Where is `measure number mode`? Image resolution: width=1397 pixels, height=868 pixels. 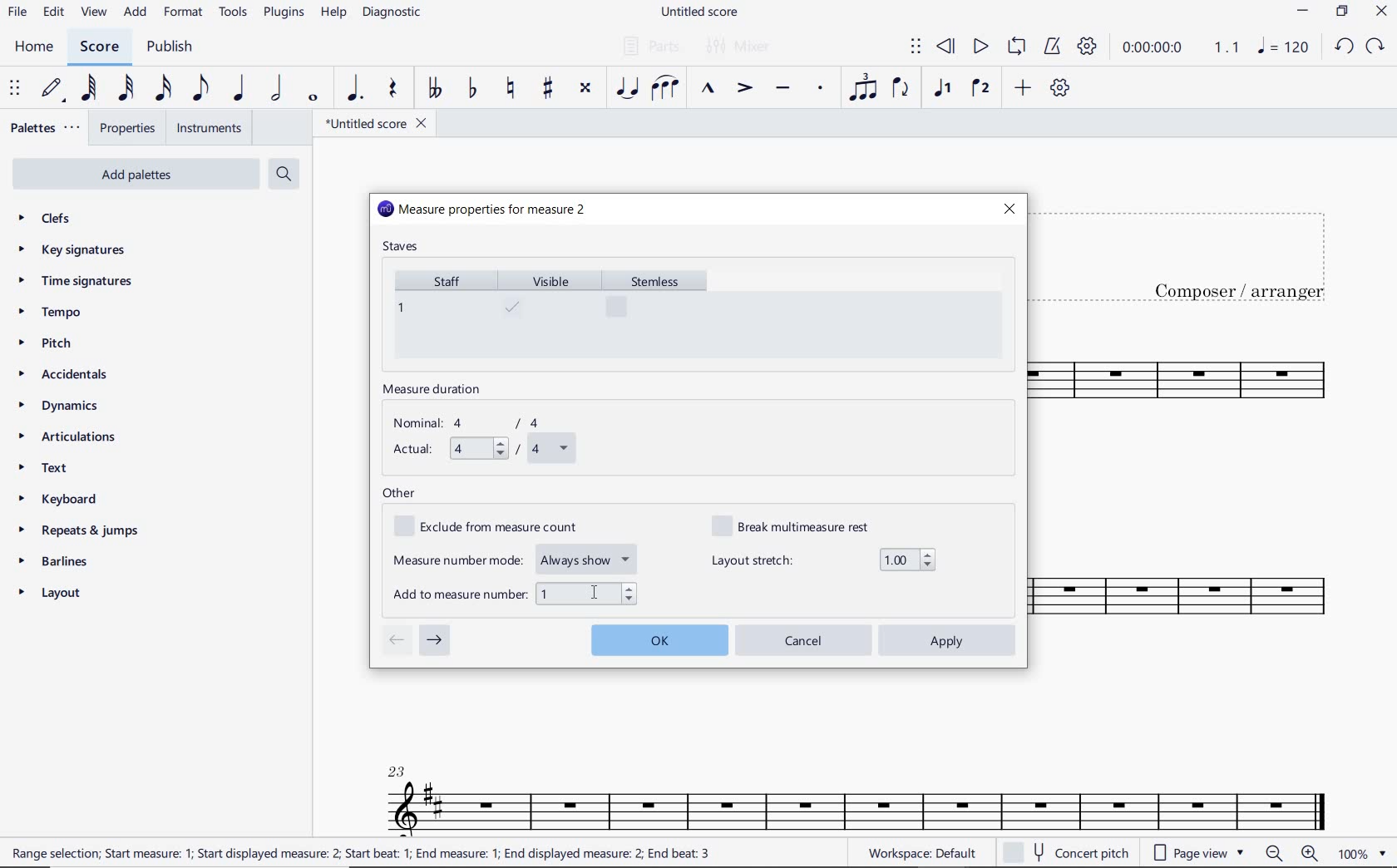
measure number mode is located at coordinates (516, 557).